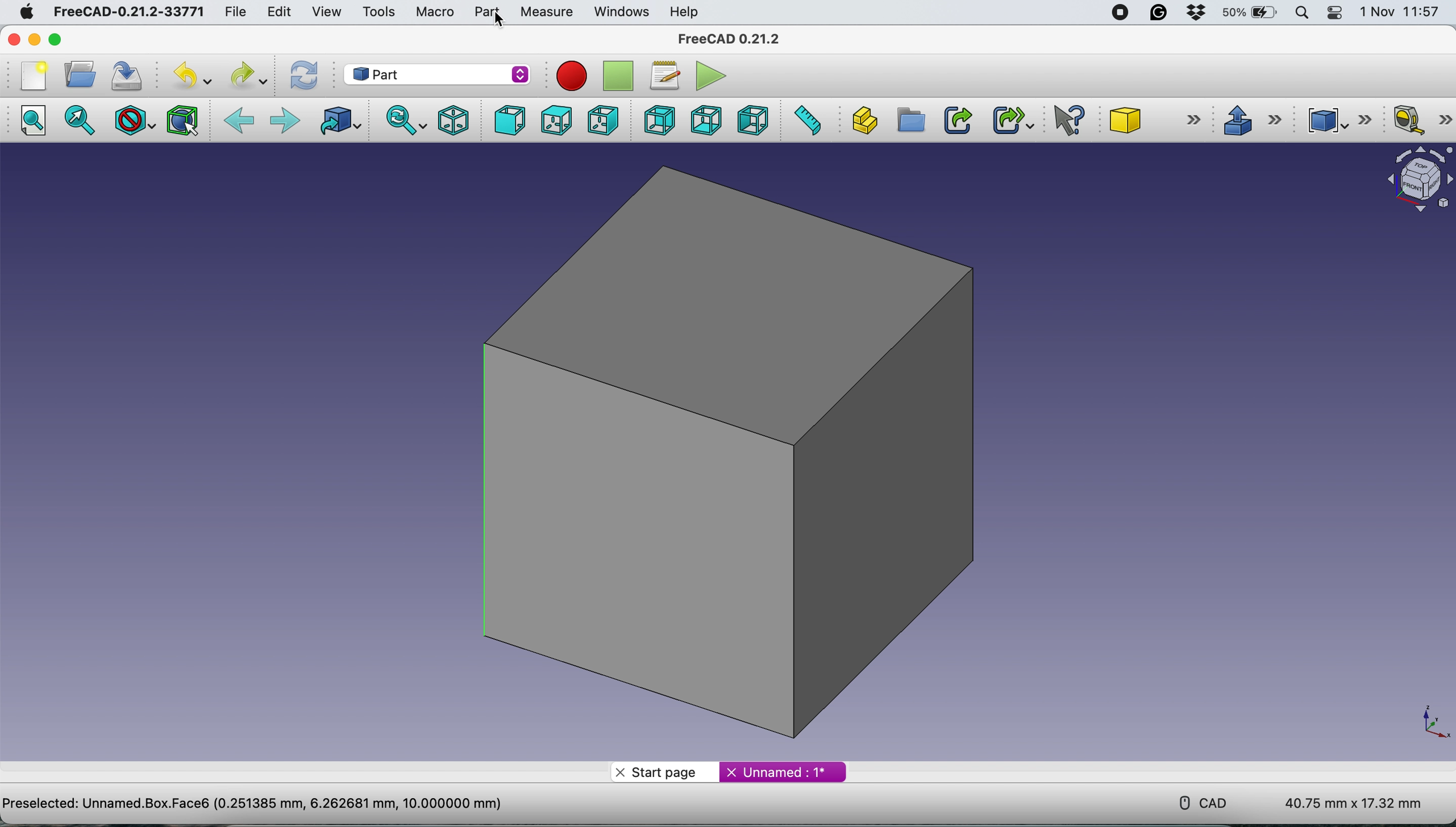  What do you see at coordinates (956, 119) in the screenshot?
I see `make link` at bounding box center [956, 119].